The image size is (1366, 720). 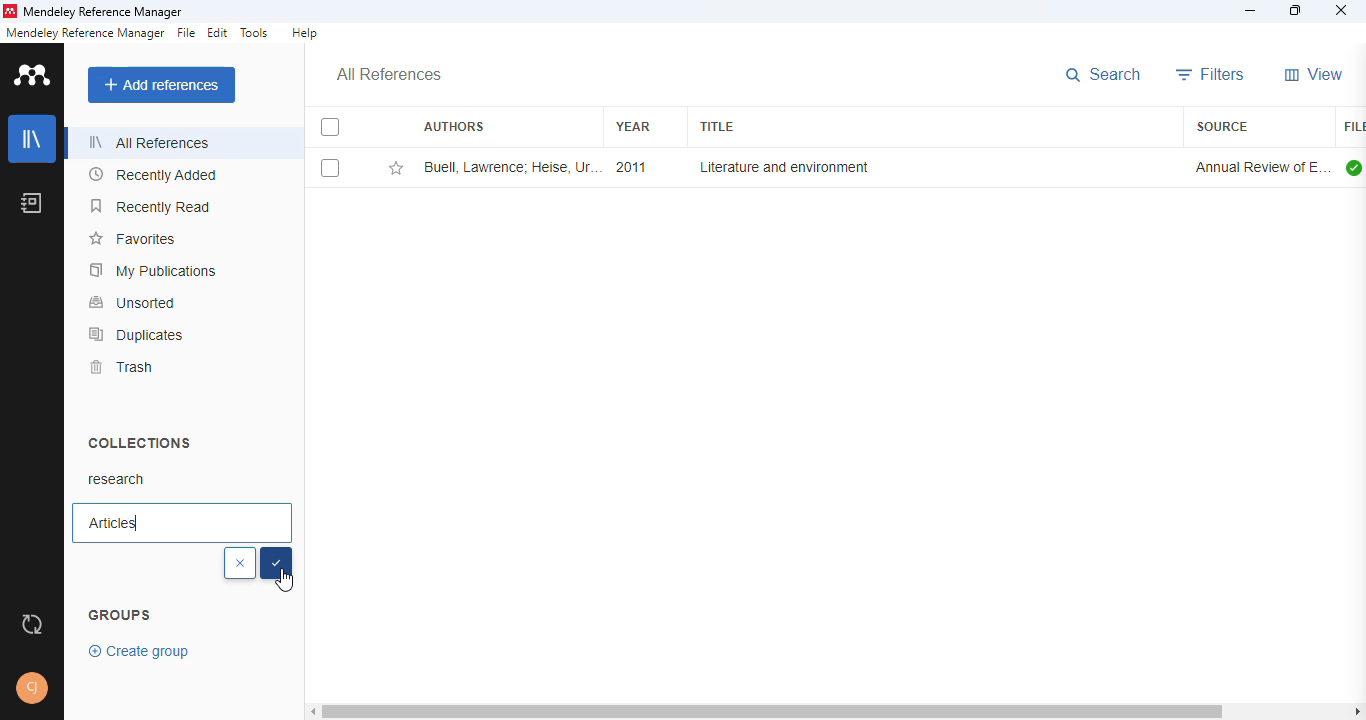 What do you see at coordinates (31, 203) in the screenshot?
I see `notebook` at bounding box center [31, 203].